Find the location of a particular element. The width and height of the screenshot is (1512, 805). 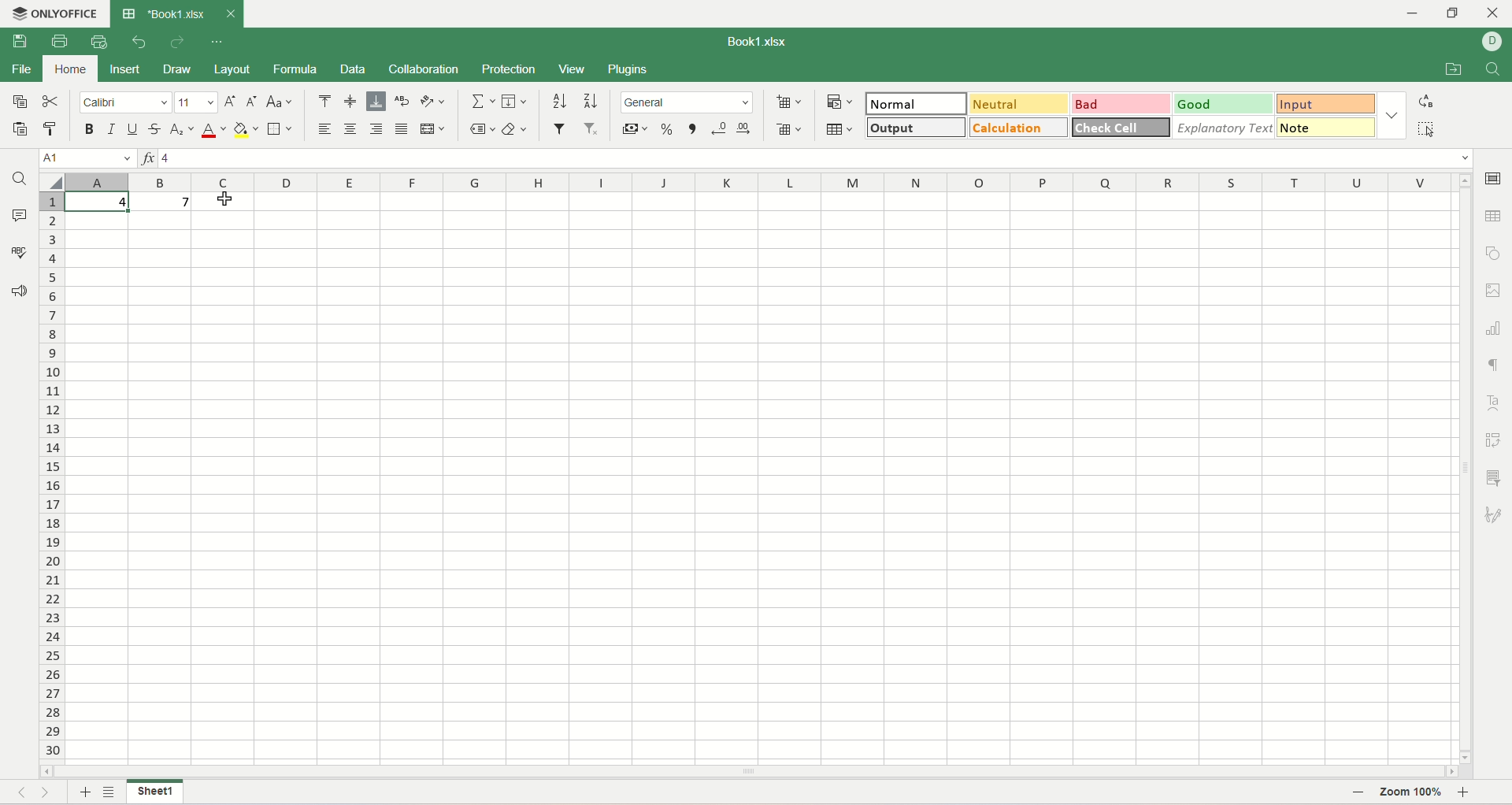

cut is located at coordinates (51, 100).